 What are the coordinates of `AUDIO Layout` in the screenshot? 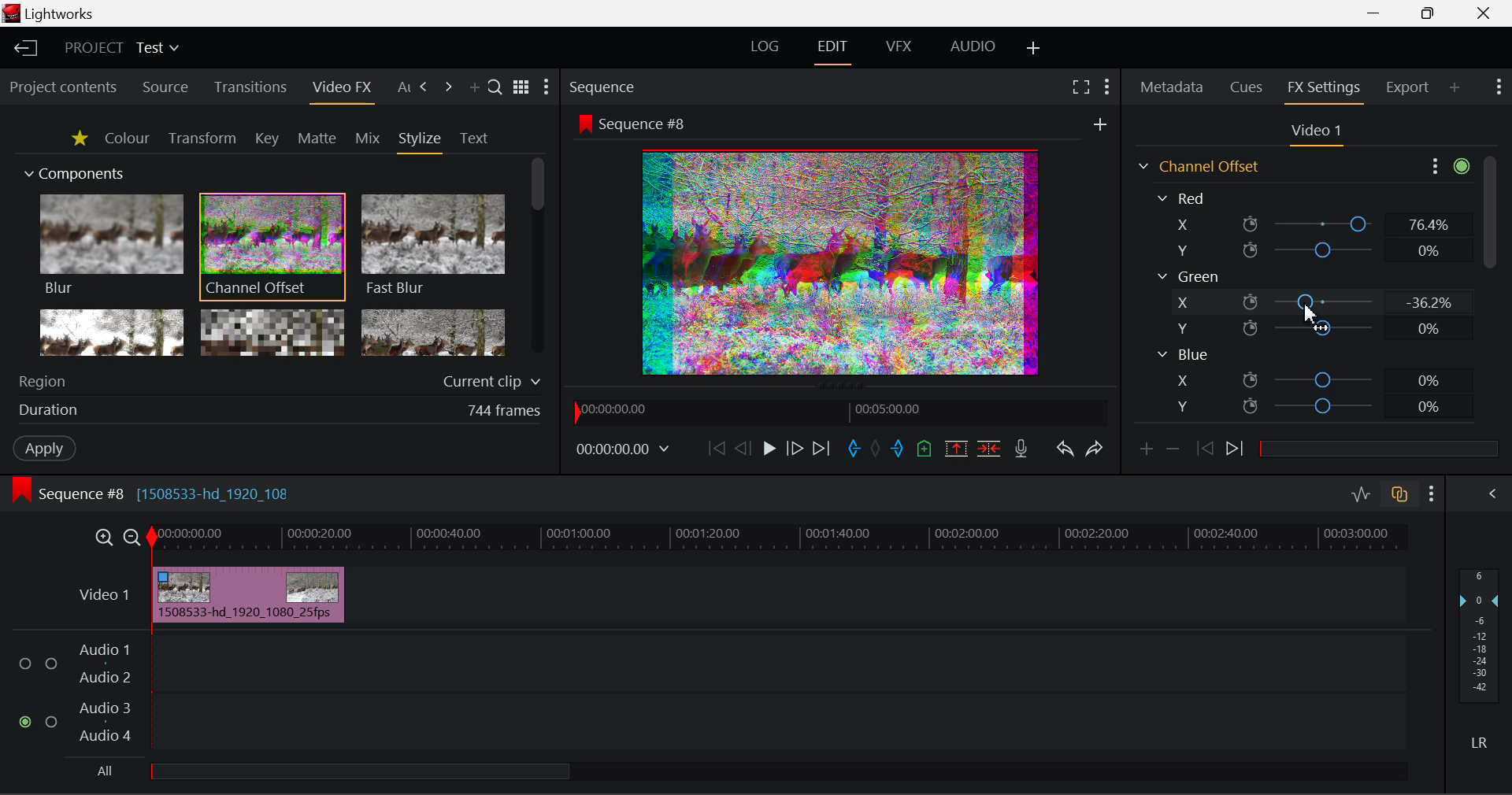 It's located at (975, 50).